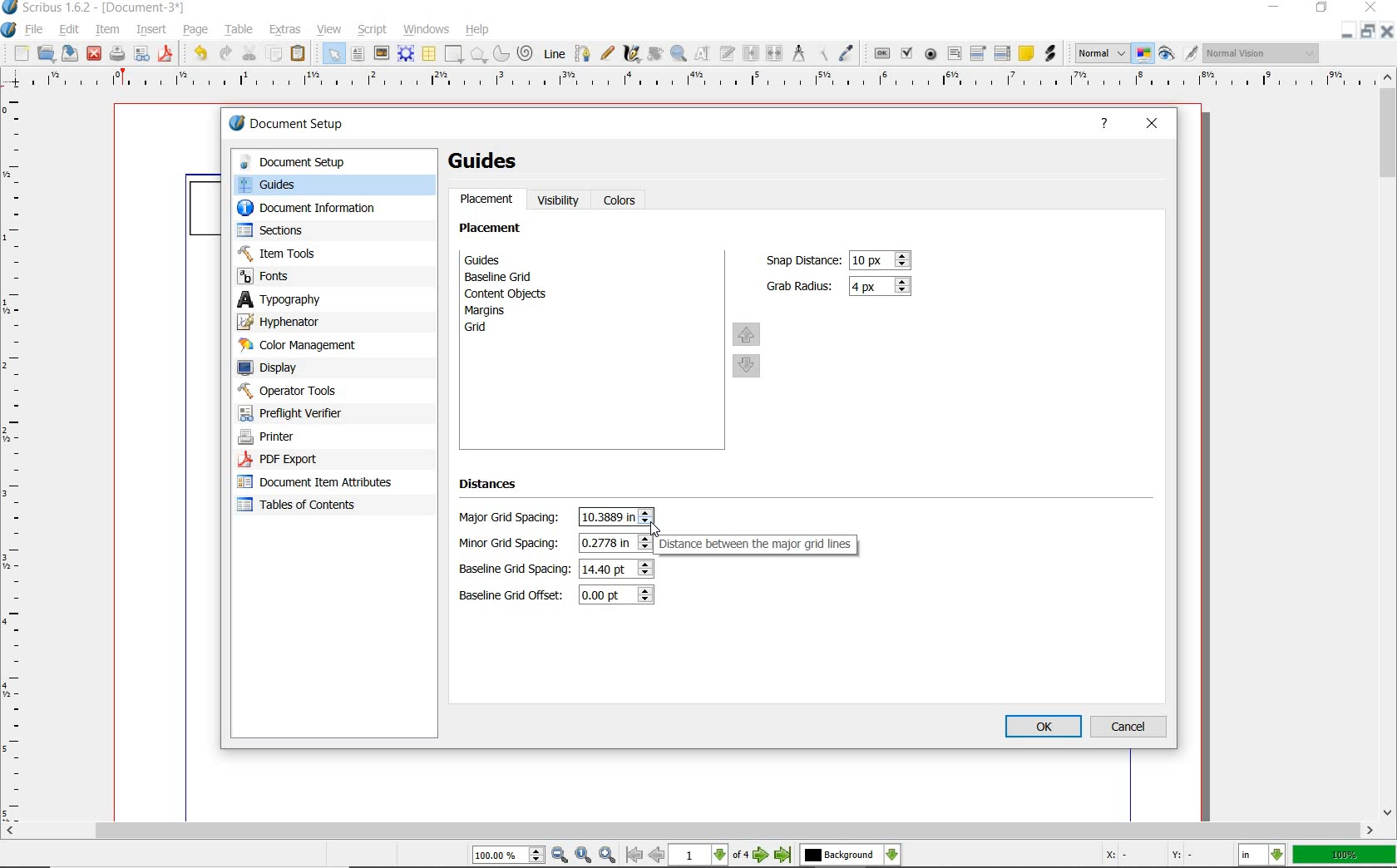  Describe the element at coordinates (19, 53) in the screenshot. I see `new` at that location.